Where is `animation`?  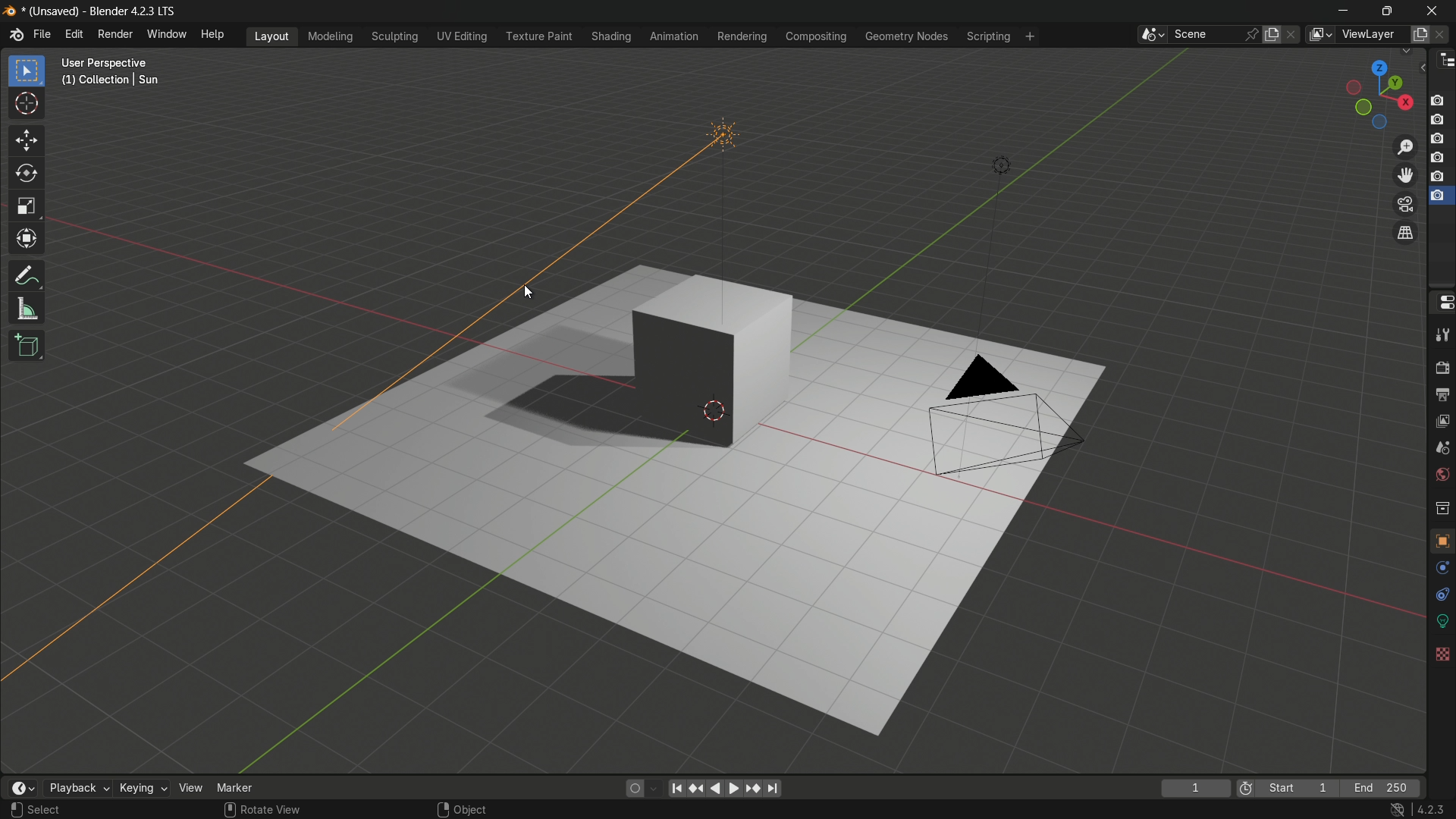
animation is located at coordinates (673, 36).